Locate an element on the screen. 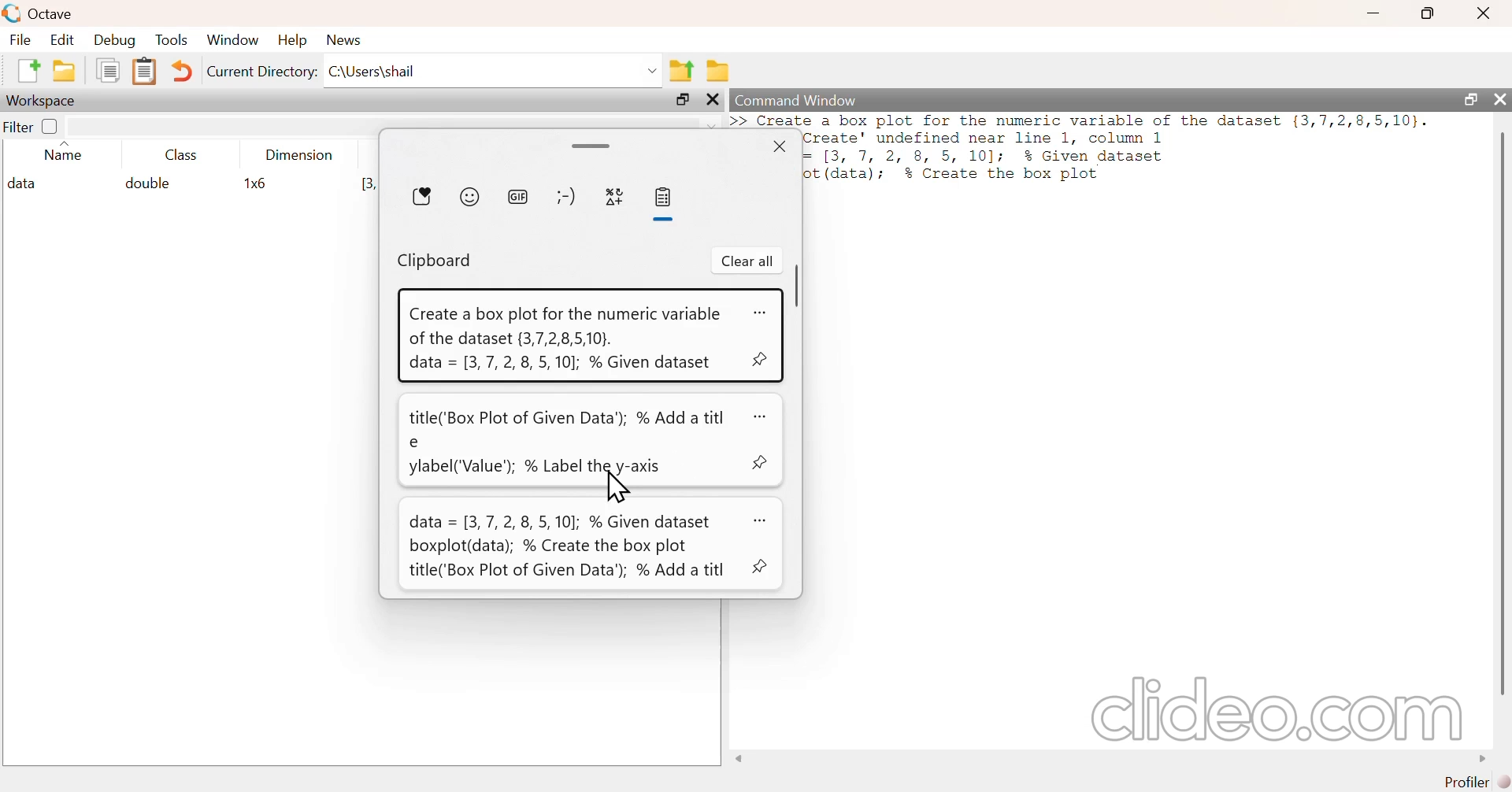 This screenshot has width=1512, height=792. paste is located at coordinates (146, 69).